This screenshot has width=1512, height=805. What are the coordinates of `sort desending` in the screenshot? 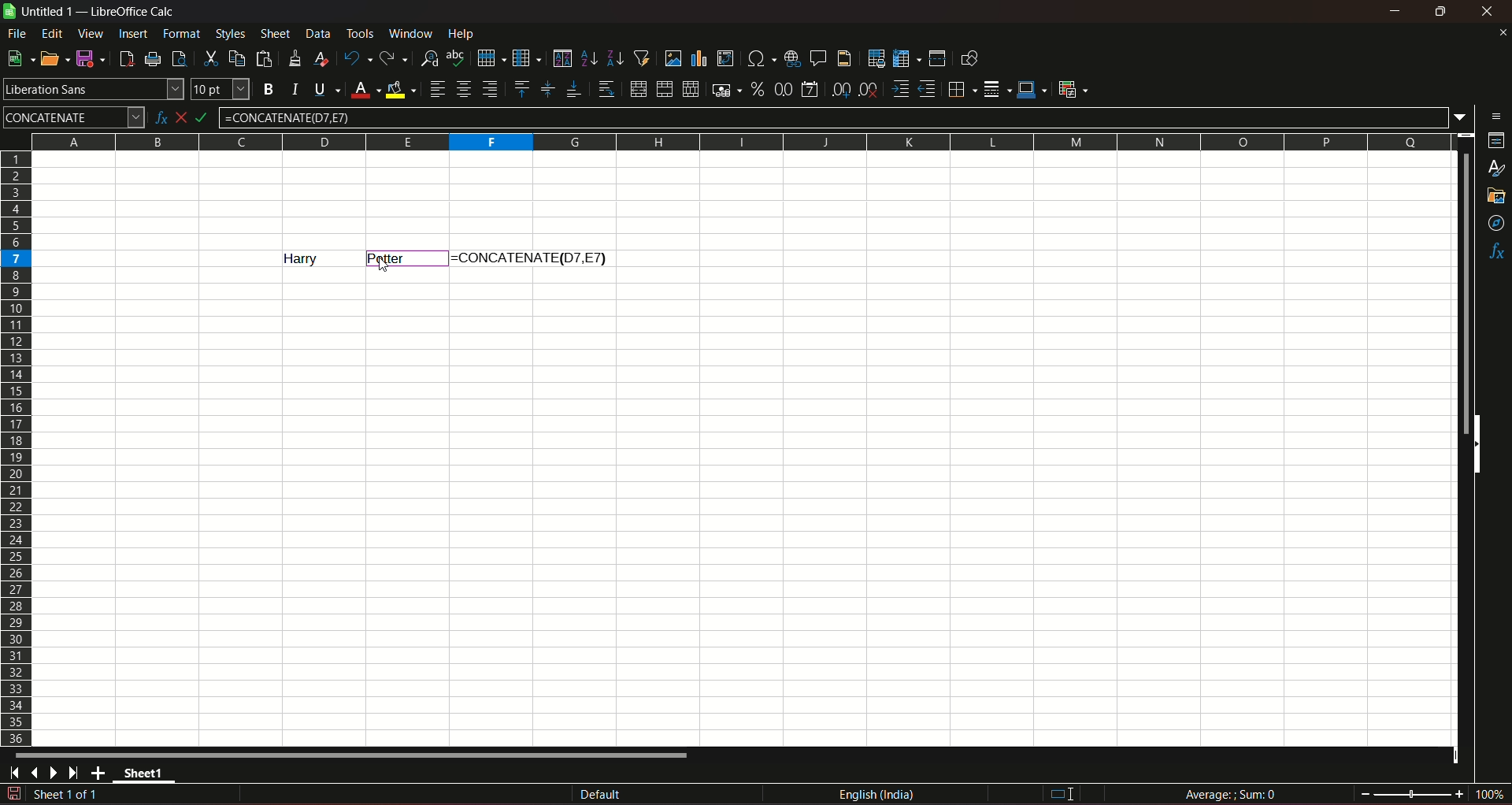 It's located at (616, 57).